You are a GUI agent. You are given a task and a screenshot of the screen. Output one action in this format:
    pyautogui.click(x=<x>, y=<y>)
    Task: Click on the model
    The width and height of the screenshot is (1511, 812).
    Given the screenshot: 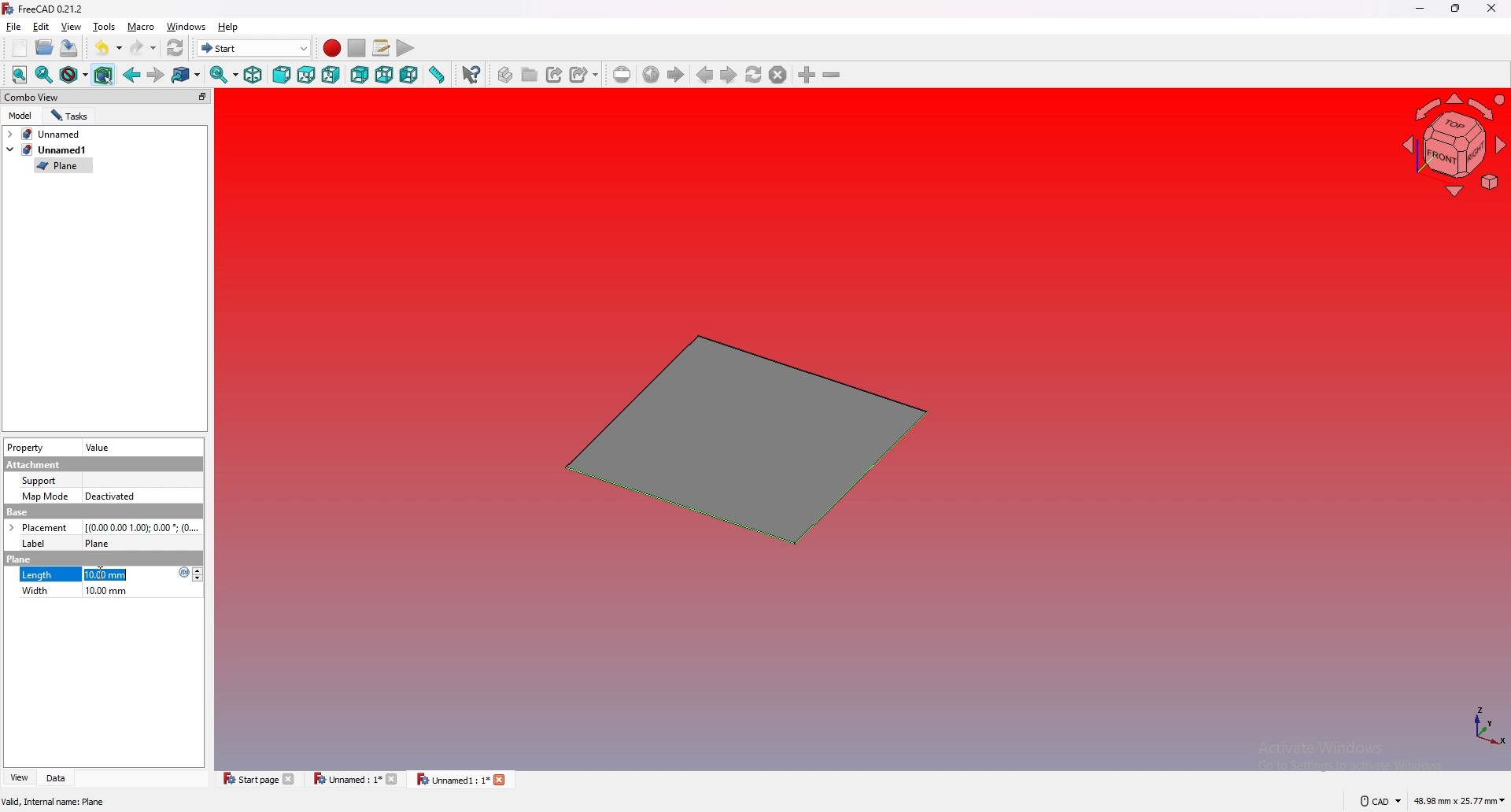 What is the action you would take?
    pyautogui.click(x=21, y=116)
    